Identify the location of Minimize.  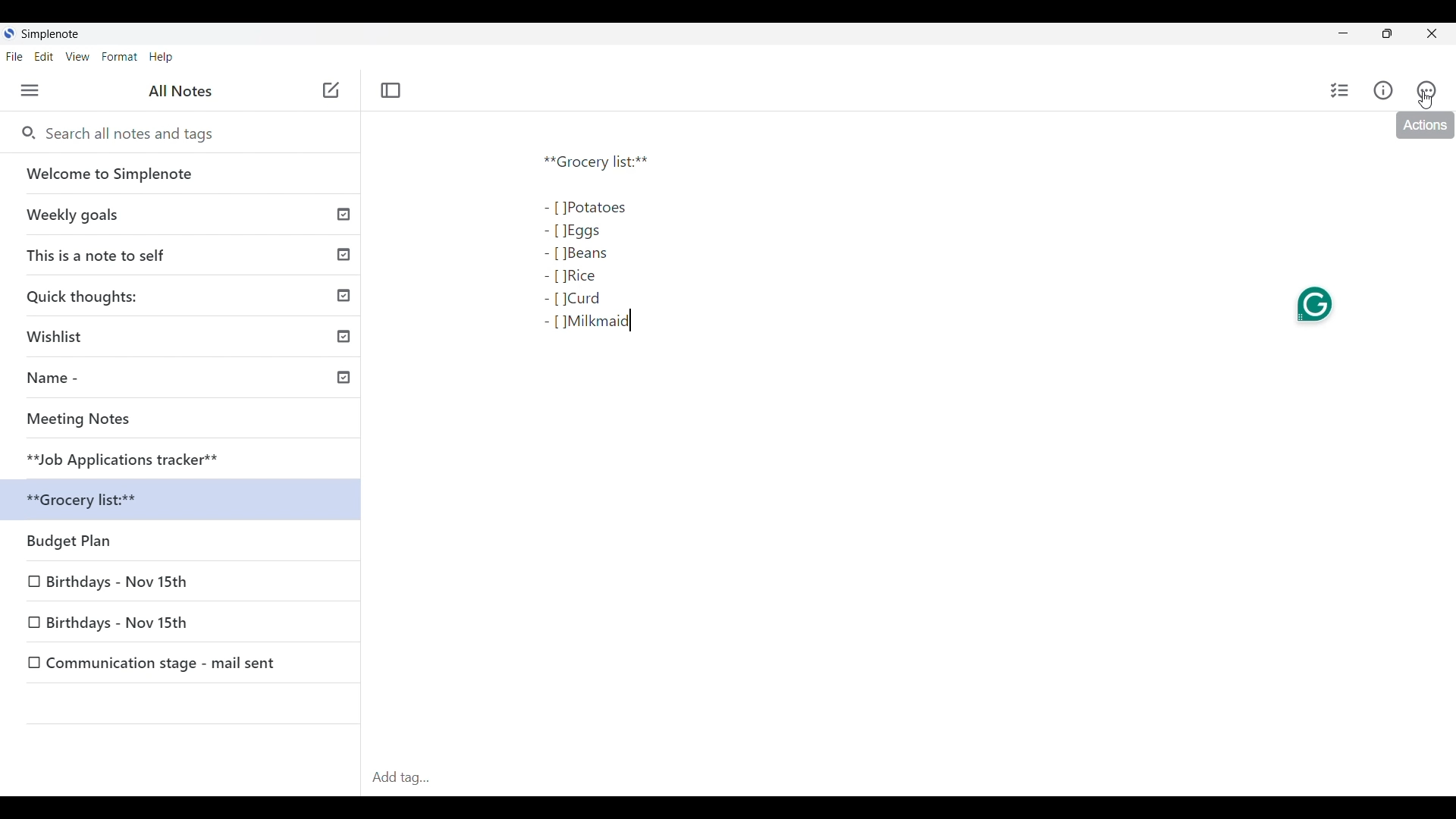
(1339, 33).